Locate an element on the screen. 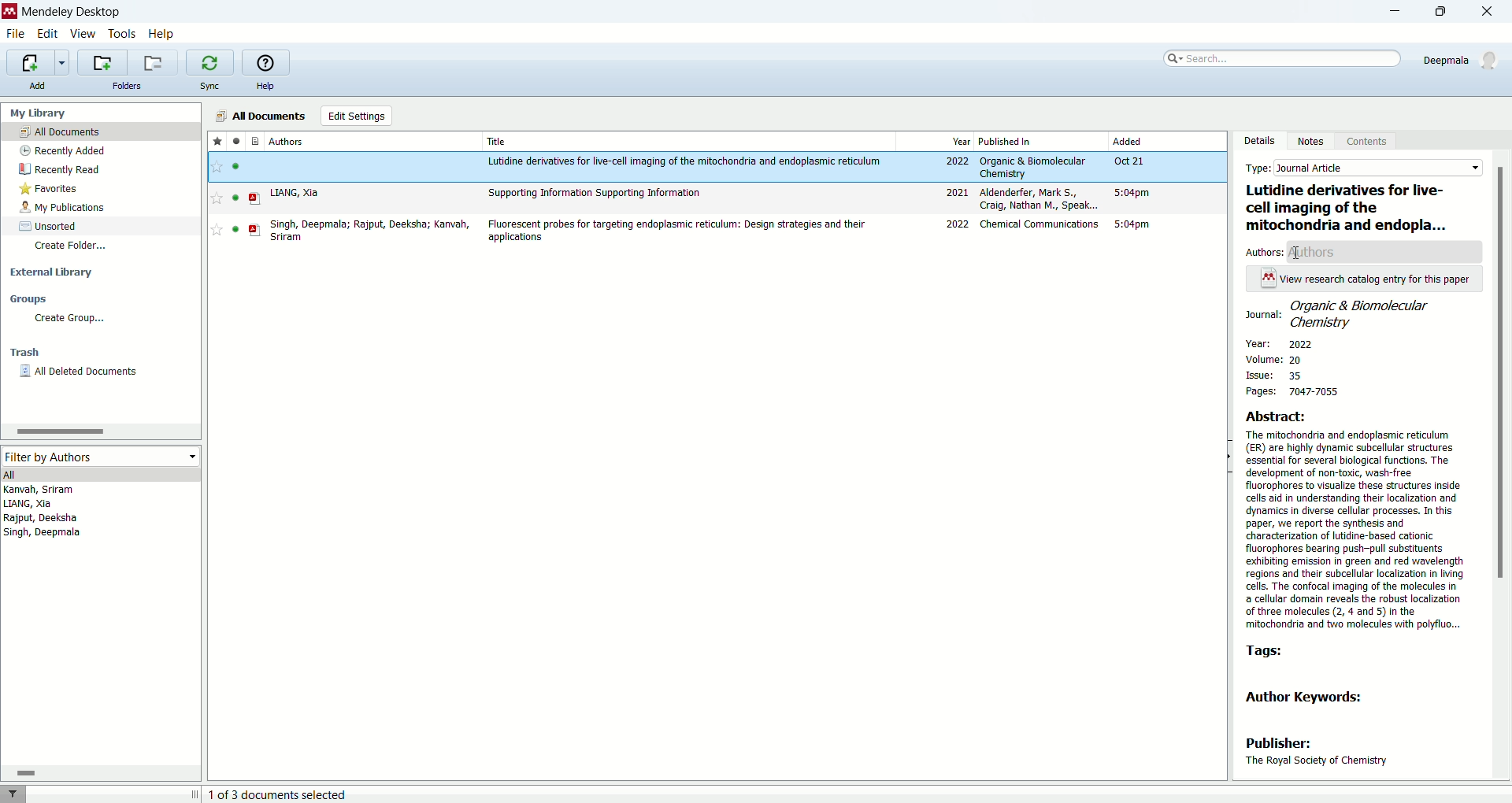 The width and height of the screenshot is (1512, 803). . Organic & Biomolecular
Journal: Cy mitry is located at coordinates (1340, 313).